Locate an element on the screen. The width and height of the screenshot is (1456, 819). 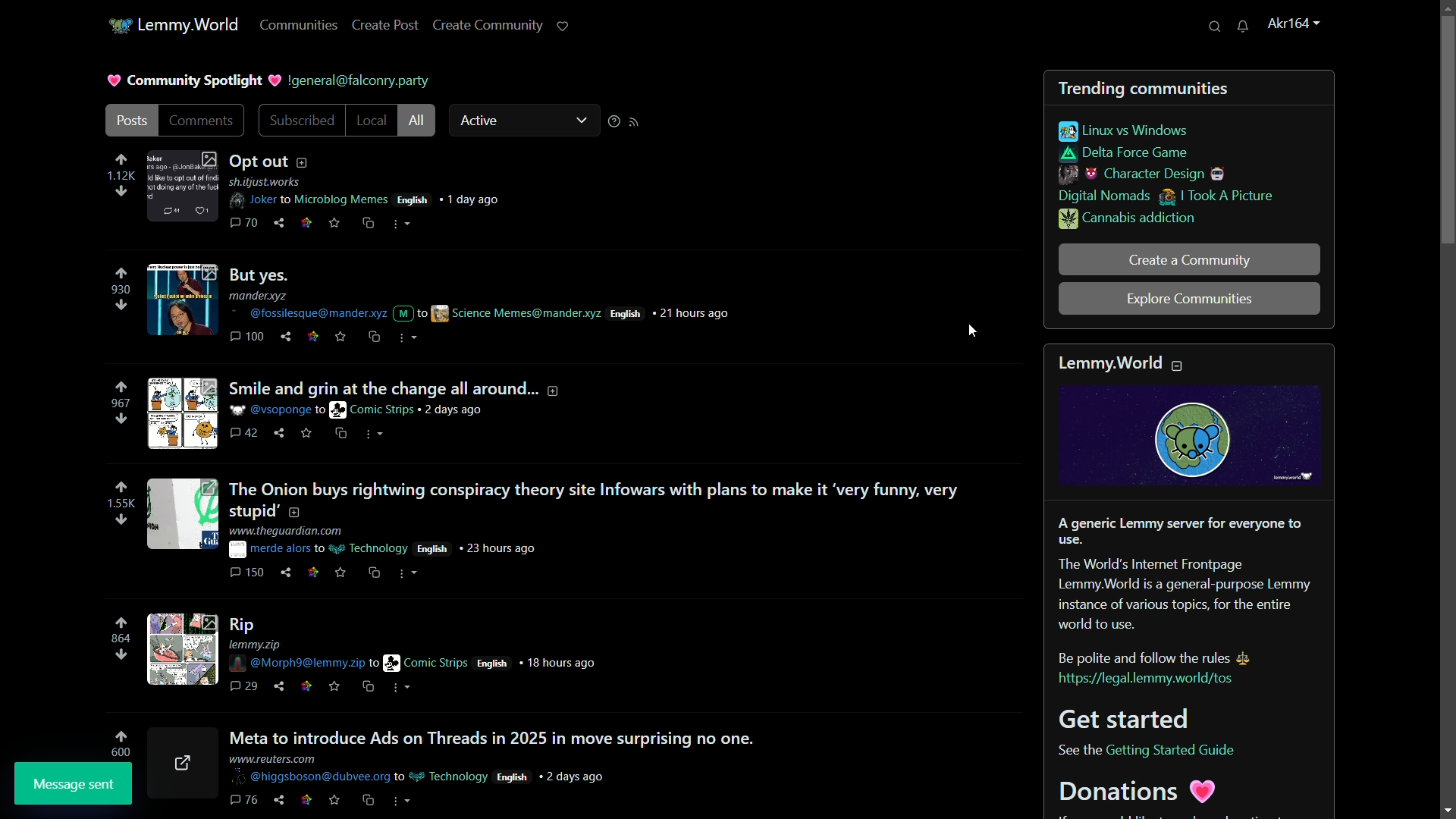
image is located at coordinates (186, 413).